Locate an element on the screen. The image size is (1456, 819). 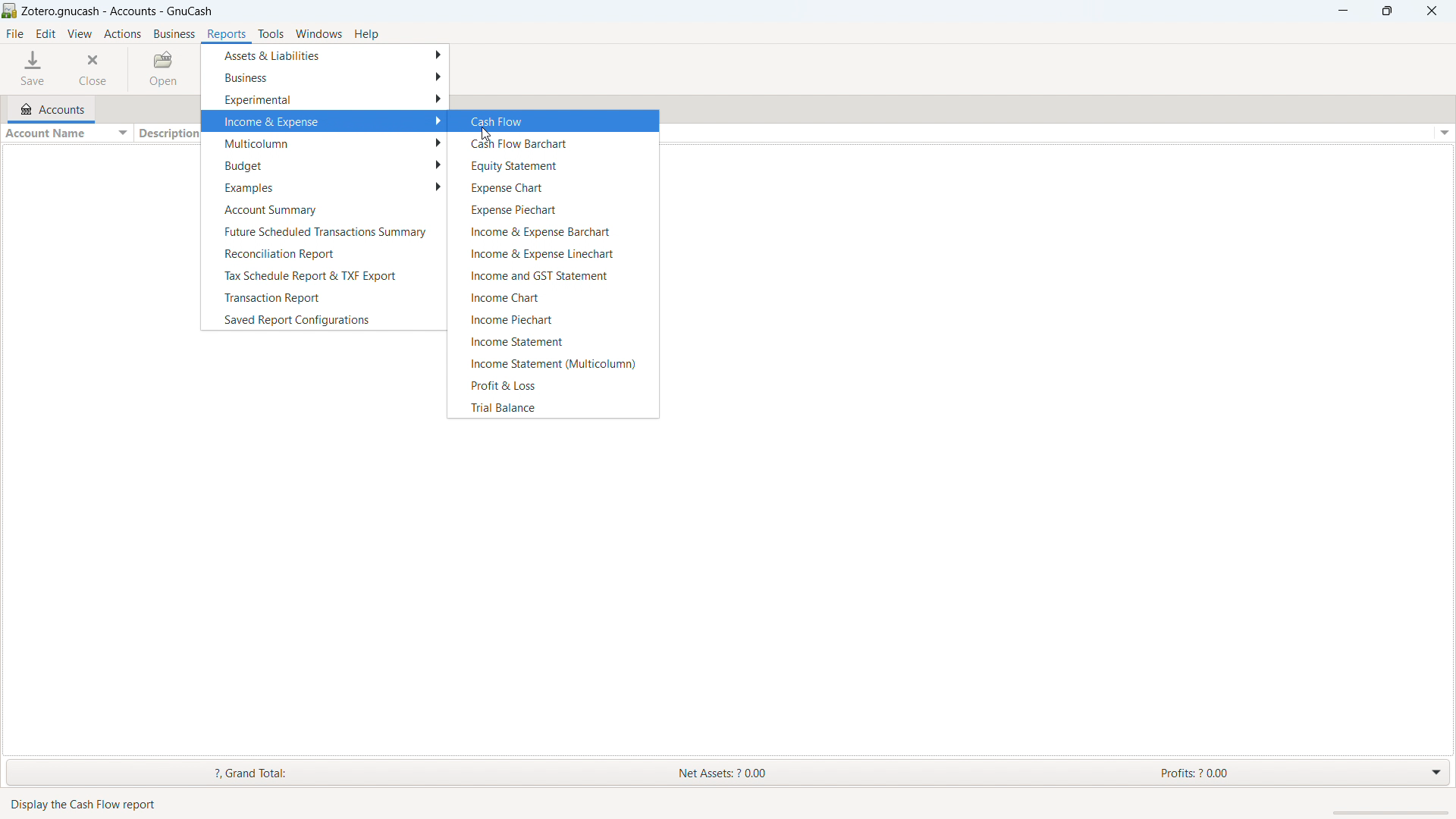
open is located at coordinates (166, 69).